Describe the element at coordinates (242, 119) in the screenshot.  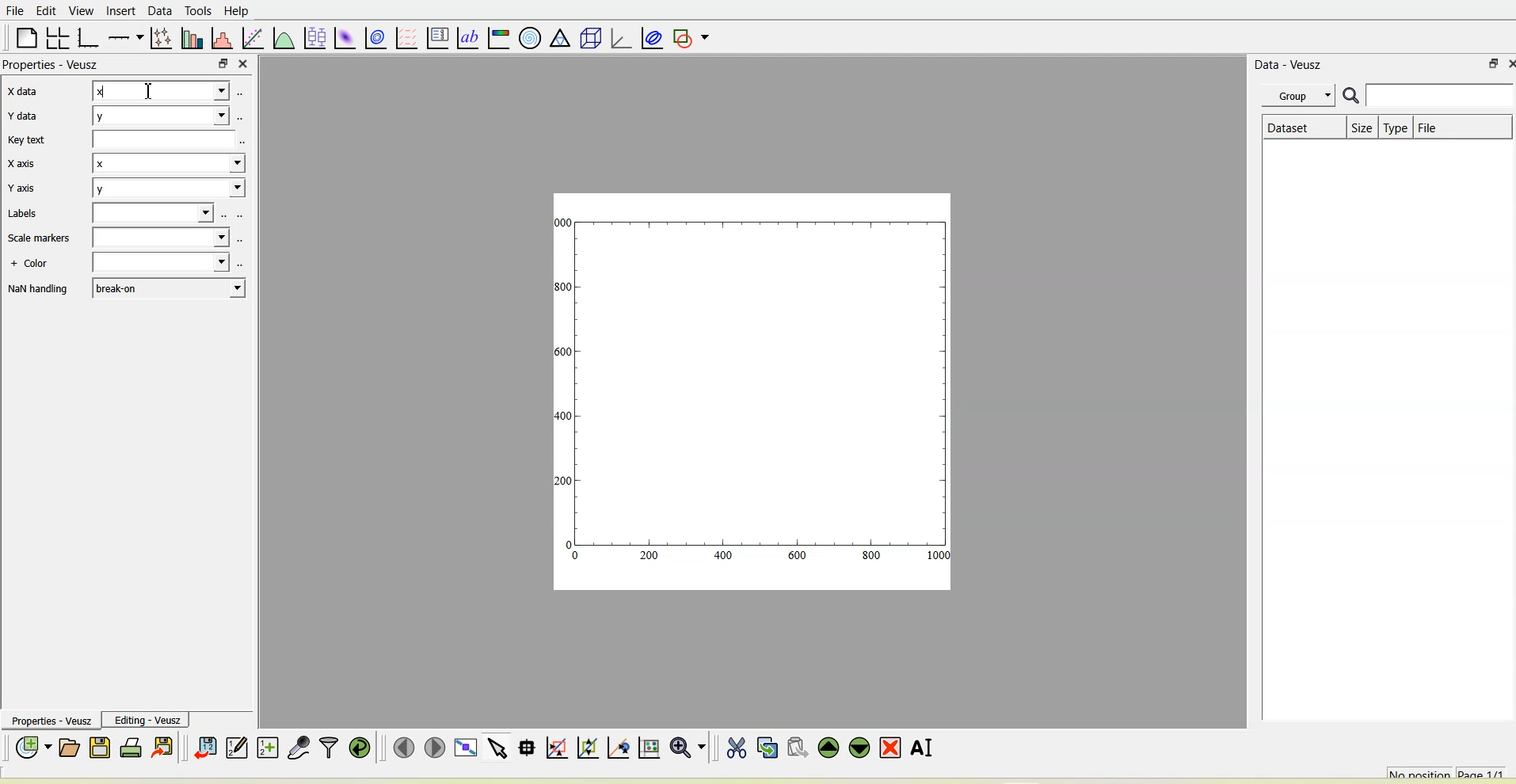
I see `select using dataset browser` at that location.